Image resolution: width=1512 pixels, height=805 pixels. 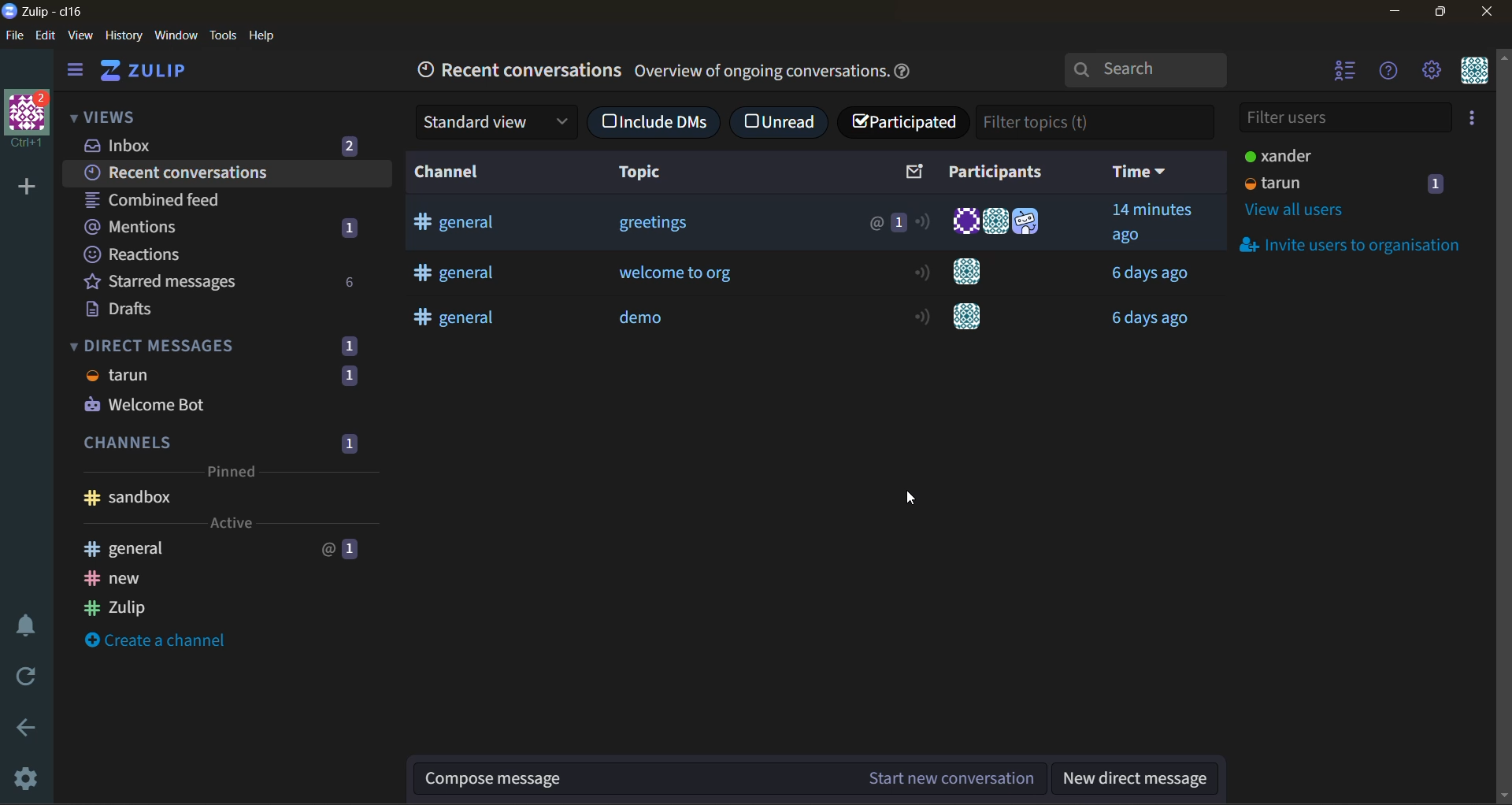 What do you see at coordinates (1137, 776) in the screenshot?
I see `new direct message` at bounding box center [1137, 776].